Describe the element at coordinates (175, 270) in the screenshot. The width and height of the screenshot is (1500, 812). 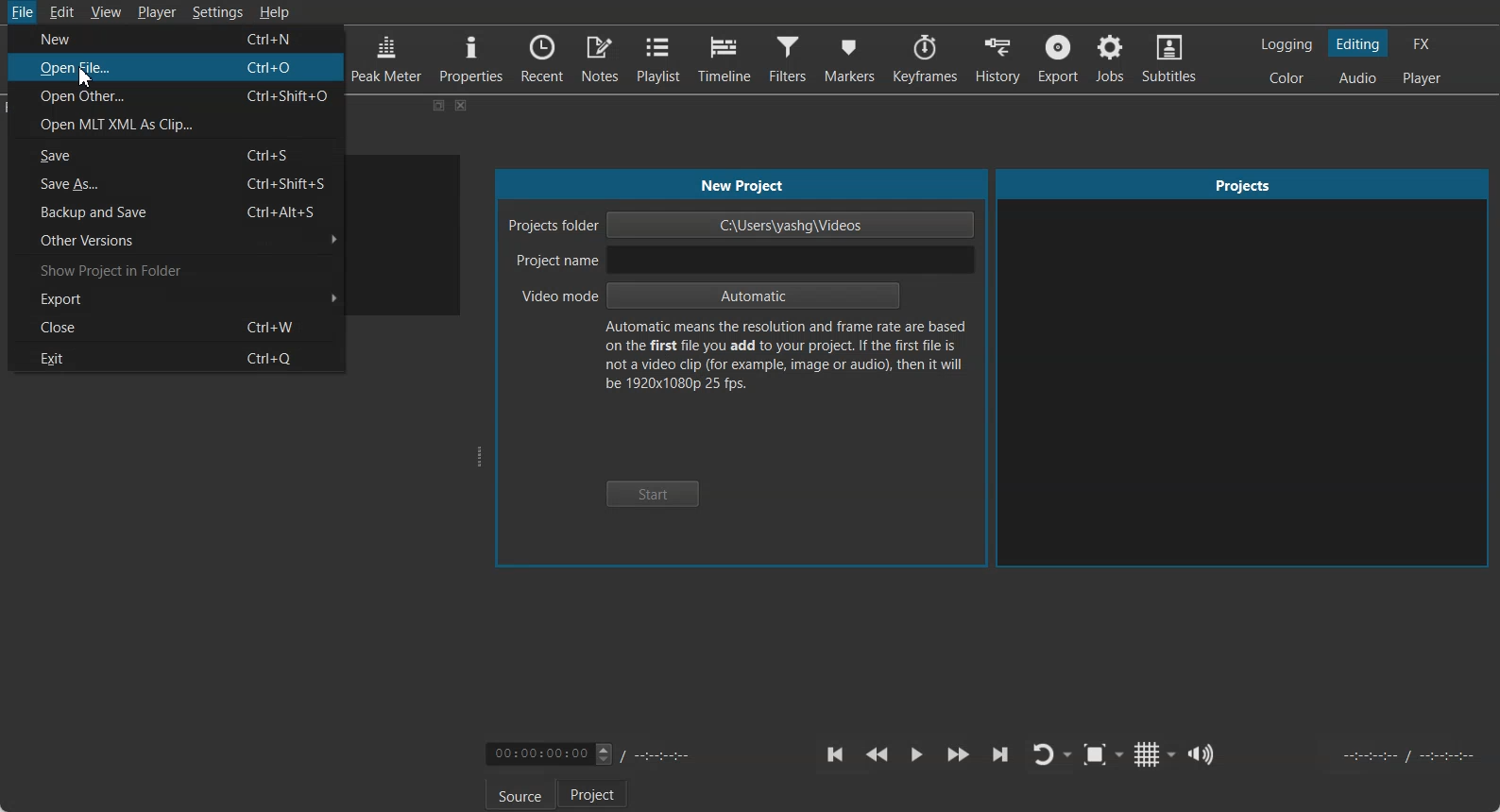
I see `Show Project in Folder` at that location.